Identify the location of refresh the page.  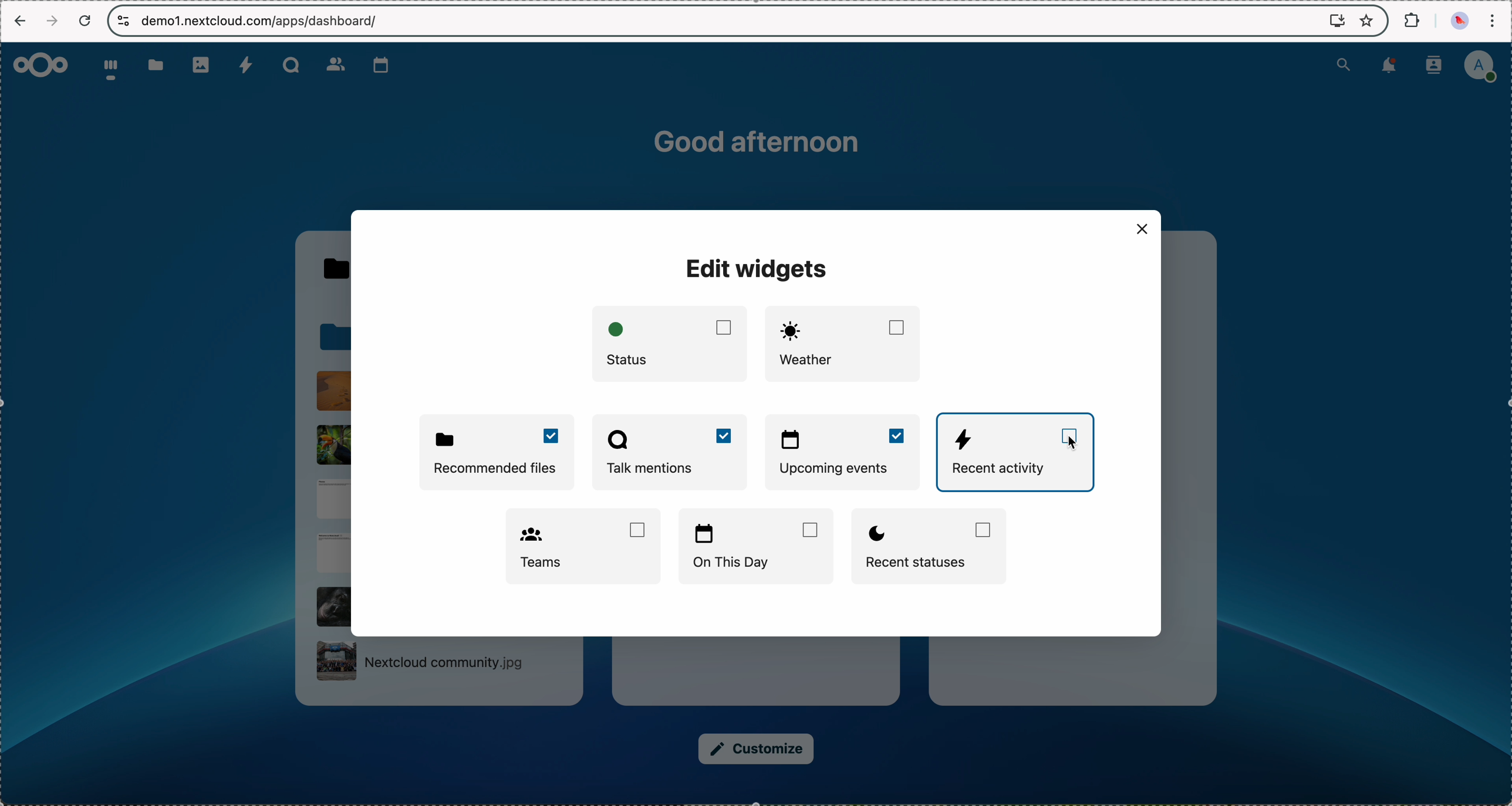
(90, 22).